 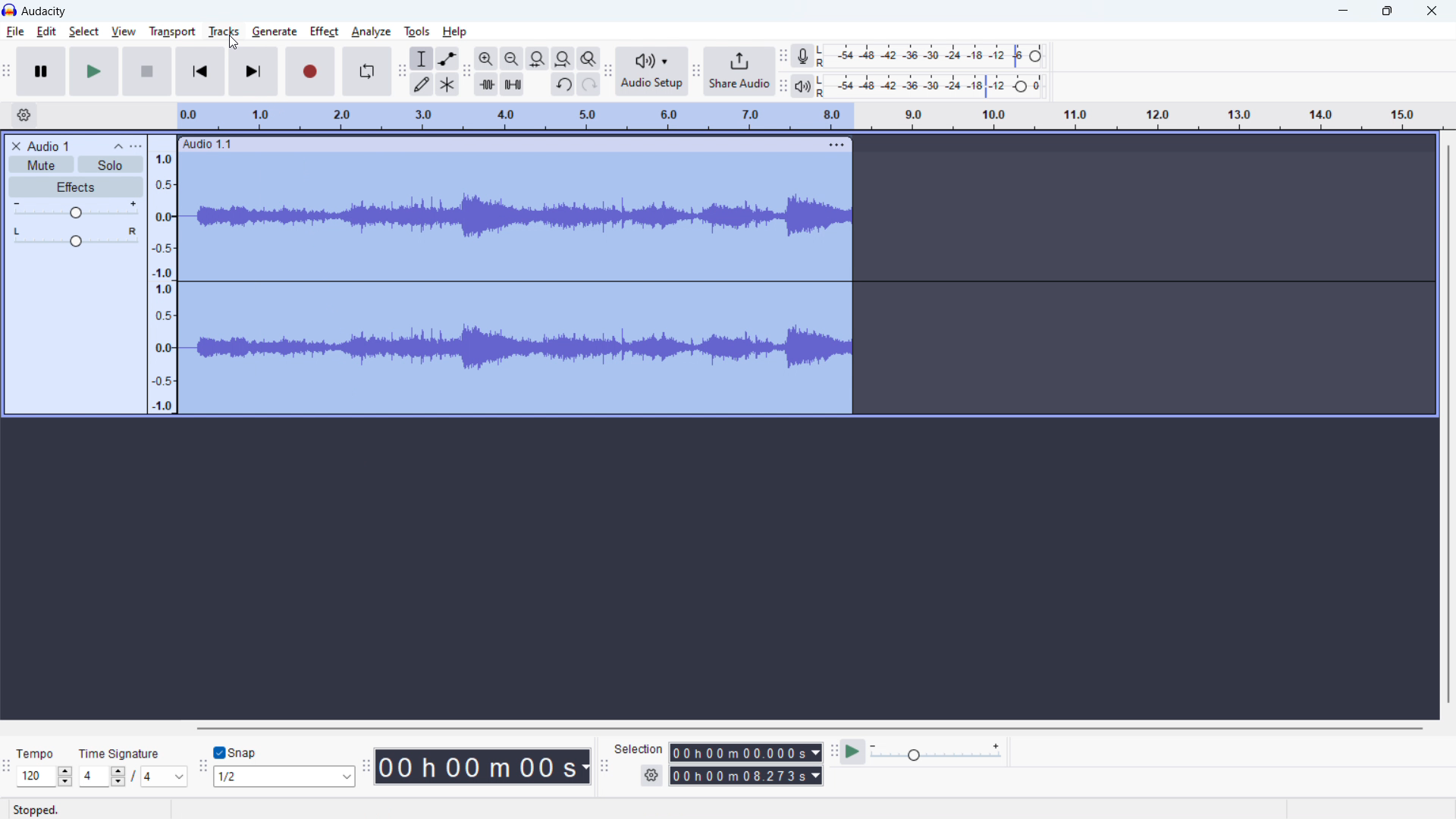 What do you see at coordinates (609, 71) in the screenshot?
I see `audio setup toolbar` at bounding box center [609, 71].